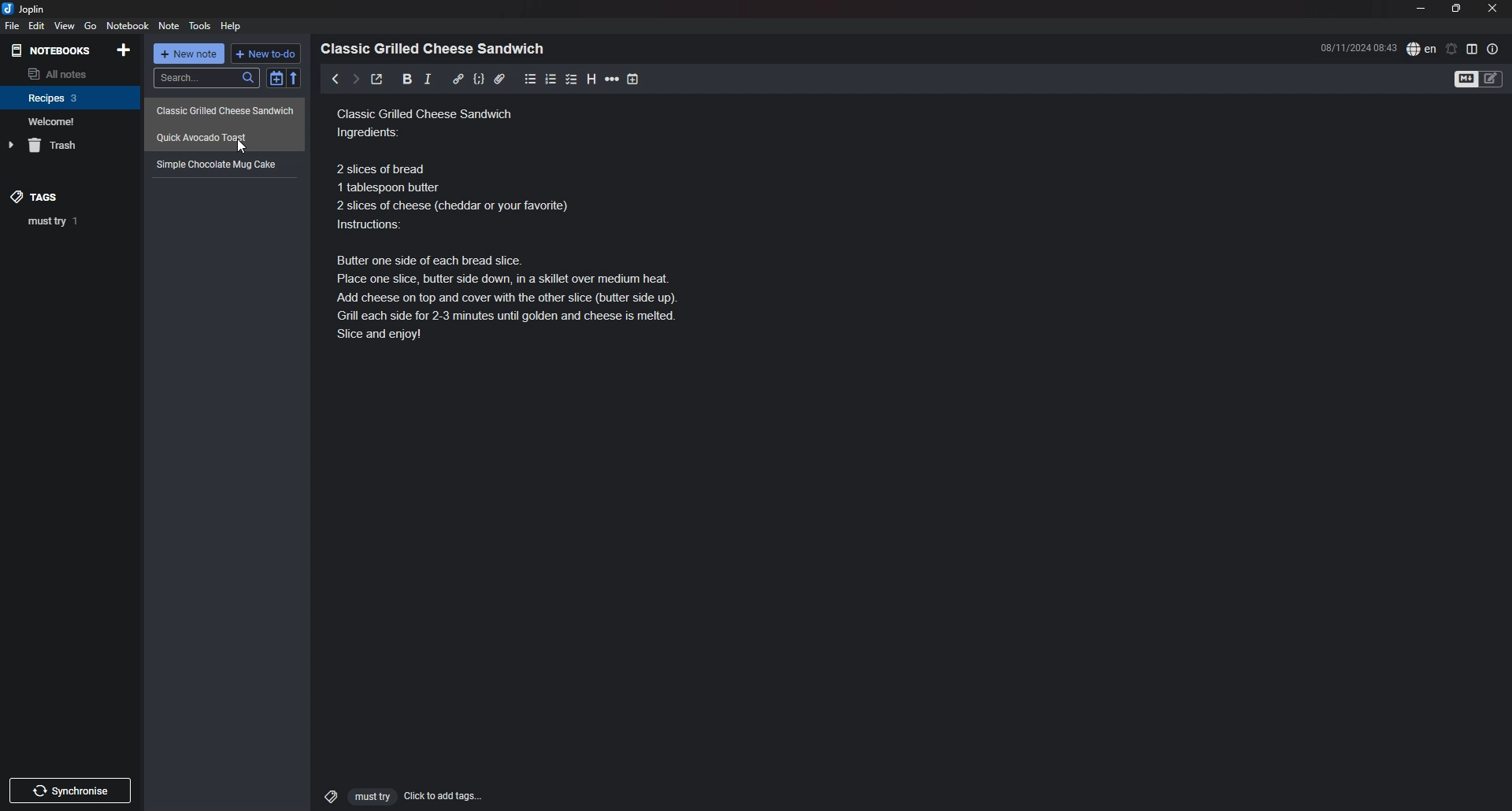 This screenshot has width=1512, height=811. What do you see at coordinates (69, 121) in the screenshot?
I see `notebook` at bounding box center [69, 121].